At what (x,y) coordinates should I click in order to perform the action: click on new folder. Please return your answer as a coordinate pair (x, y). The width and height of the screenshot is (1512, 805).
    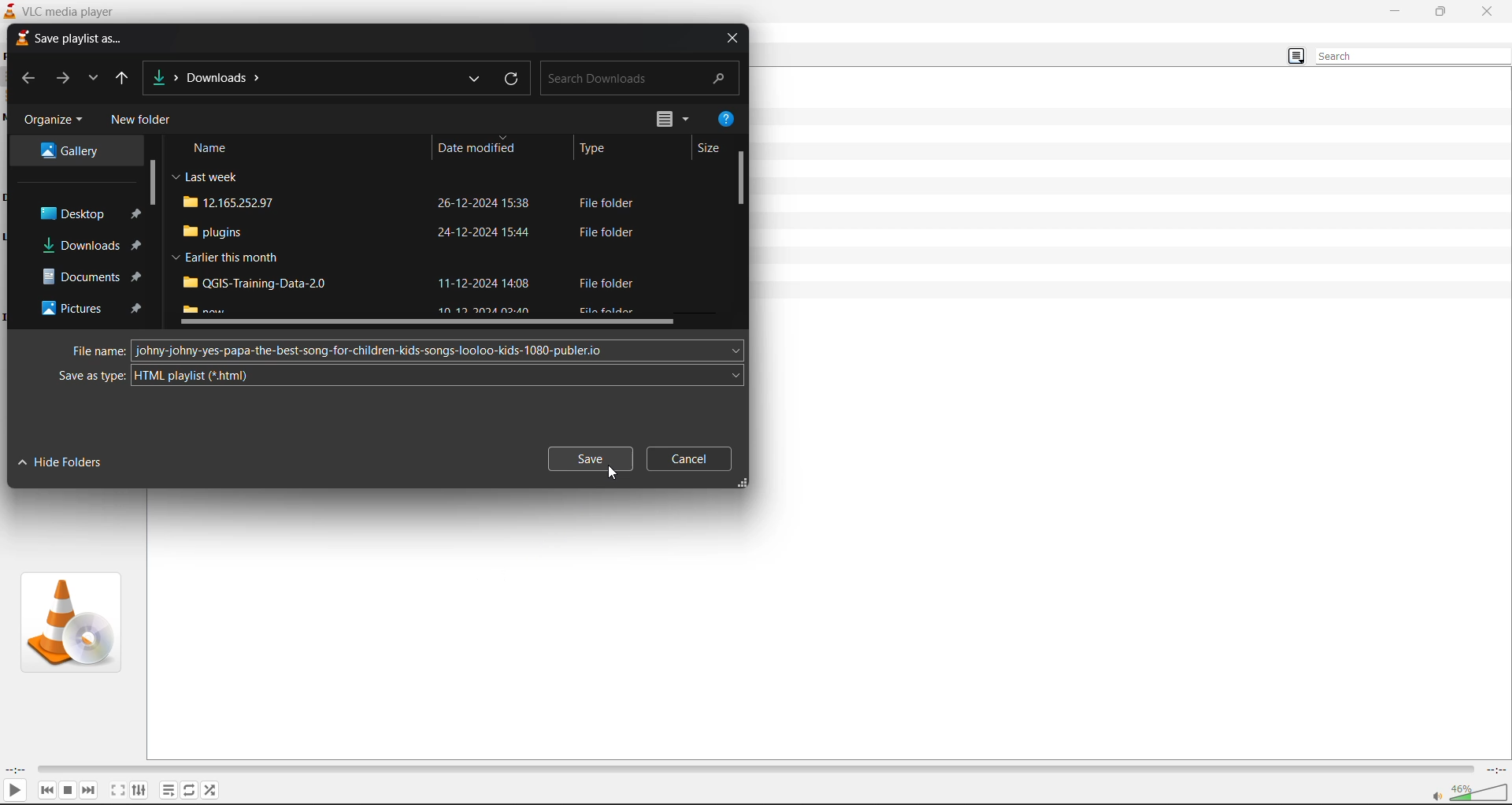
    Looking at the image, I should click on (139, 121).